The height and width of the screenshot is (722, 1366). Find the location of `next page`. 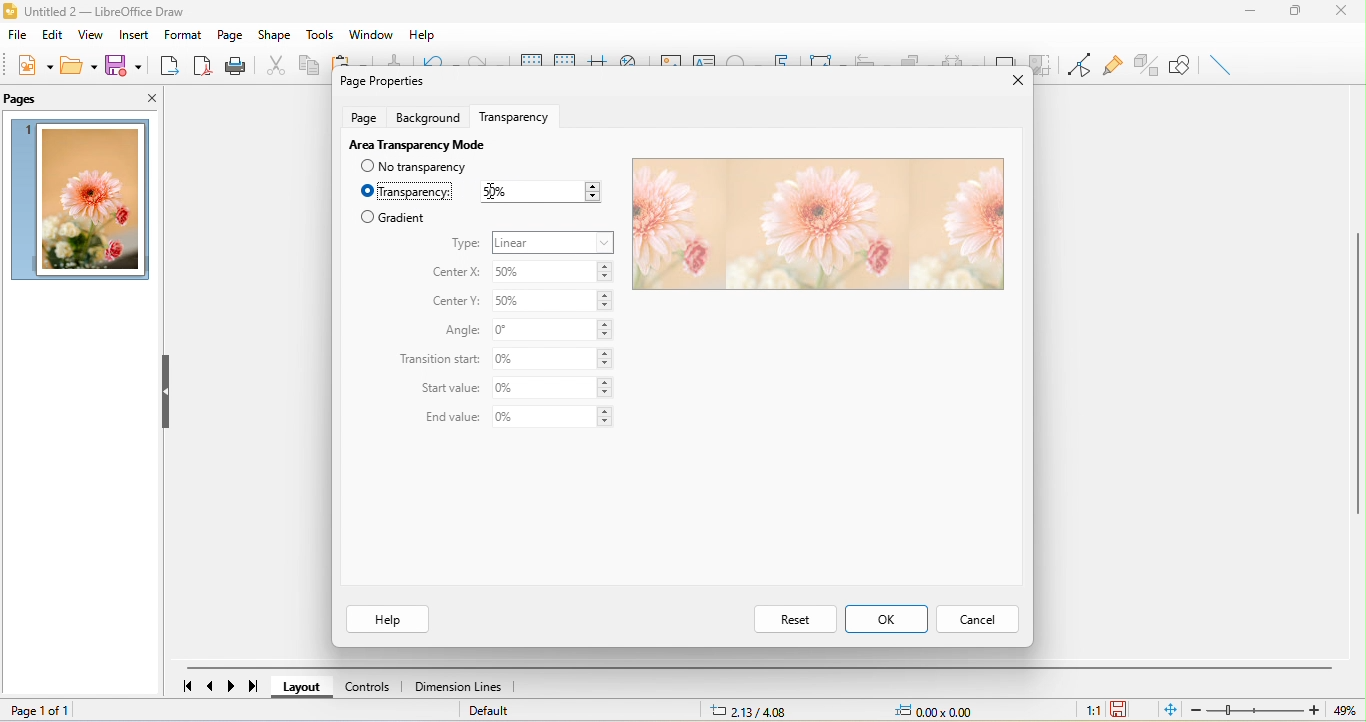

next page is located at coordinates (229, 686).